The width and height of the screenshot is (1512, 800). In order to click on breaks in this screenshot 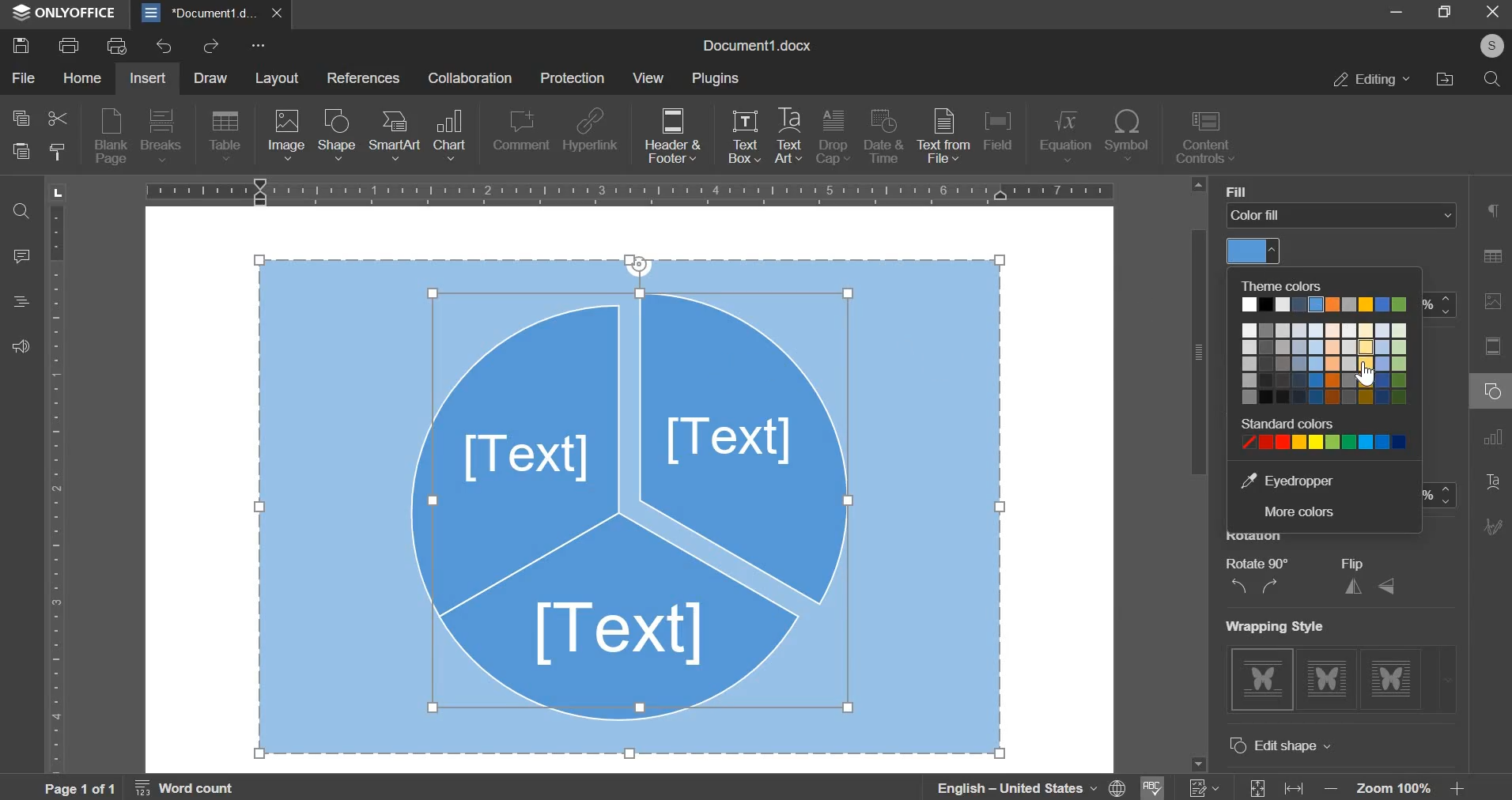, I will do `click(161, 135)`.